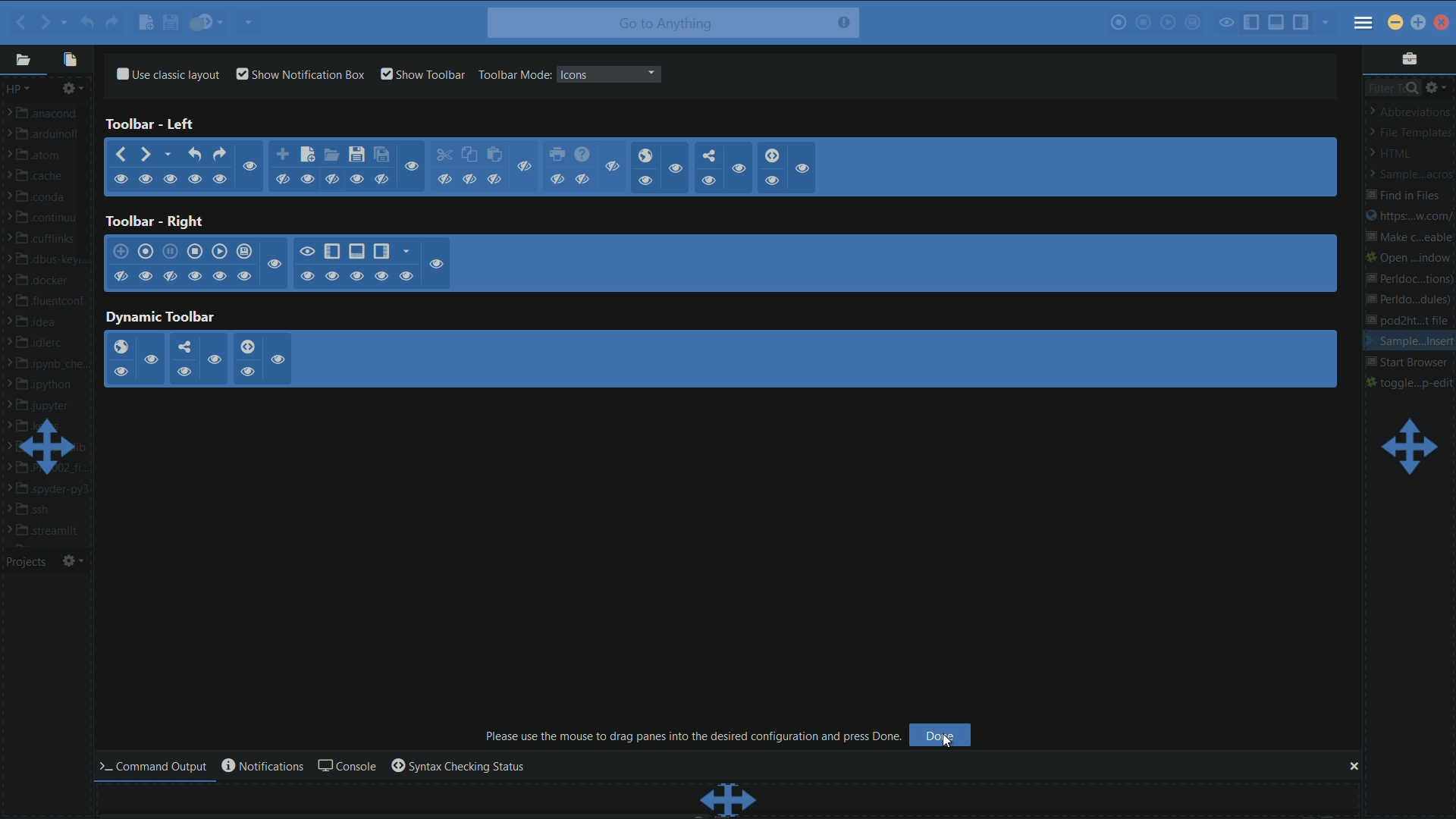  What do you see at coordinates (307, 154) in the screenshot?
I see `new file` at bounding box center [307, 154].